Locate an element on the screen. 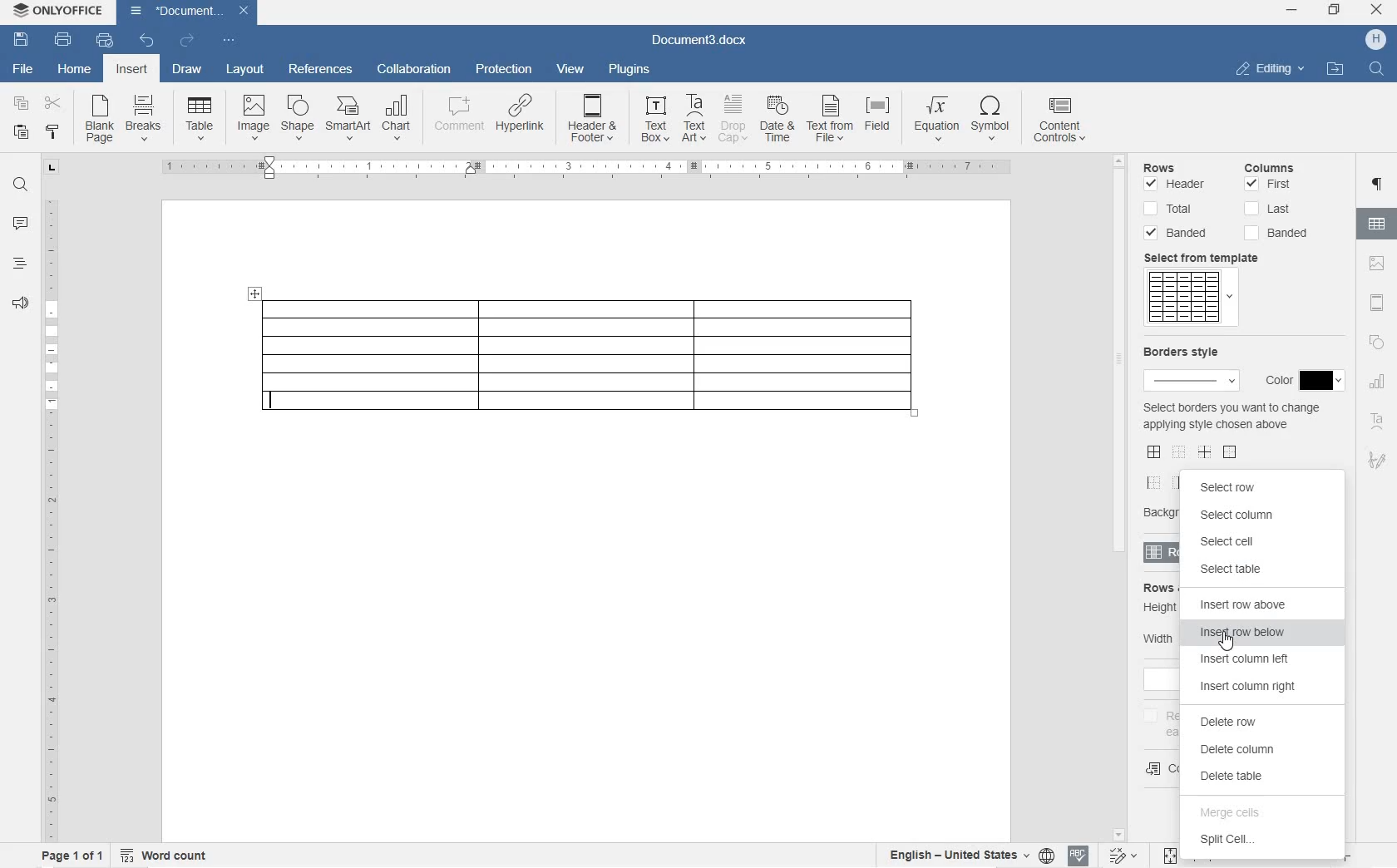 The height and width of the screenshot is (868, 1397). MINIMIZE is located at coordinates (1292, 10).